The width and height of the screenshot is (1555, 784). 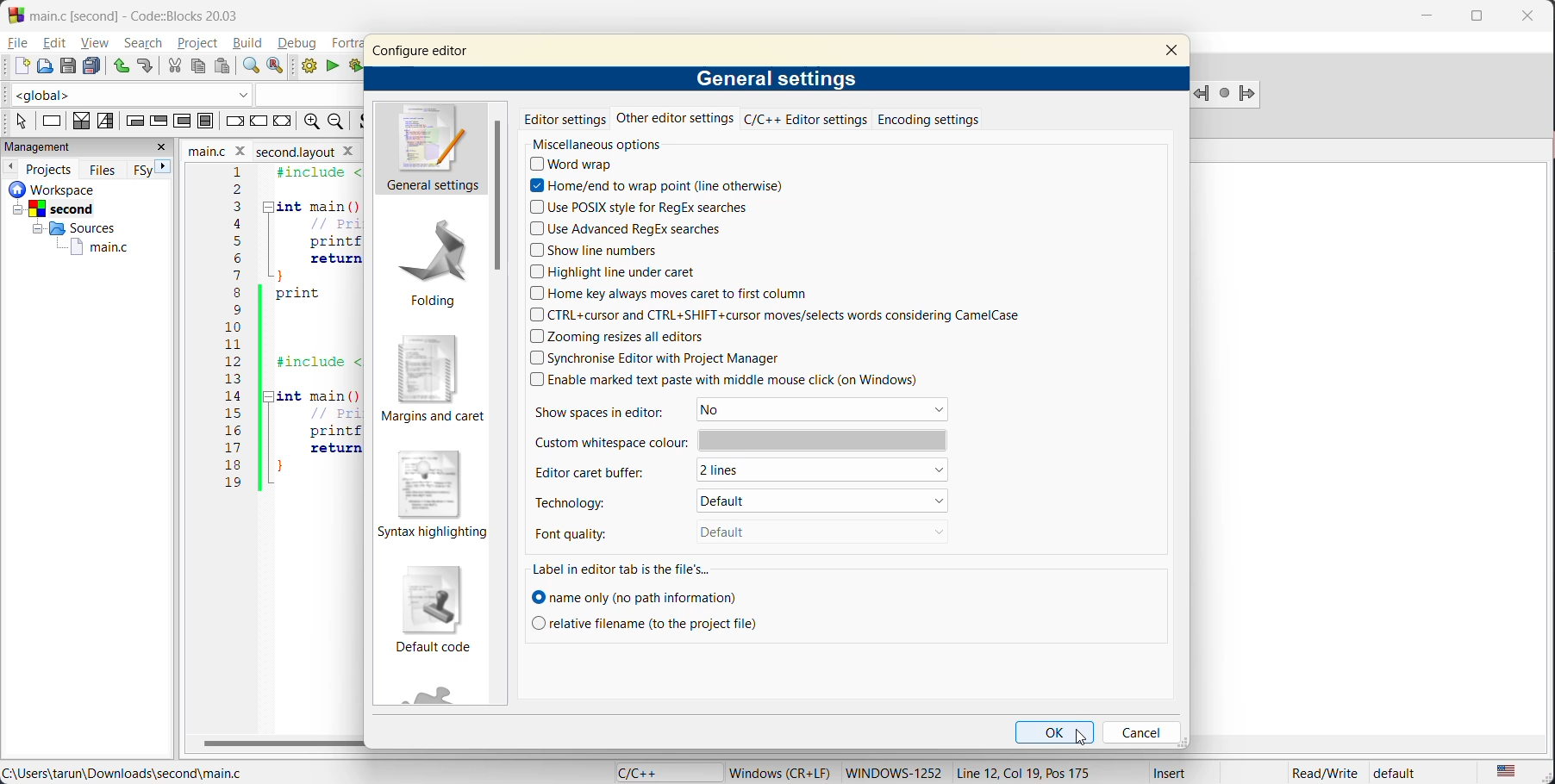 What do you see at coordinates (161, 149) in the screenshot?
I see `close` at bounding box center [161, 149].